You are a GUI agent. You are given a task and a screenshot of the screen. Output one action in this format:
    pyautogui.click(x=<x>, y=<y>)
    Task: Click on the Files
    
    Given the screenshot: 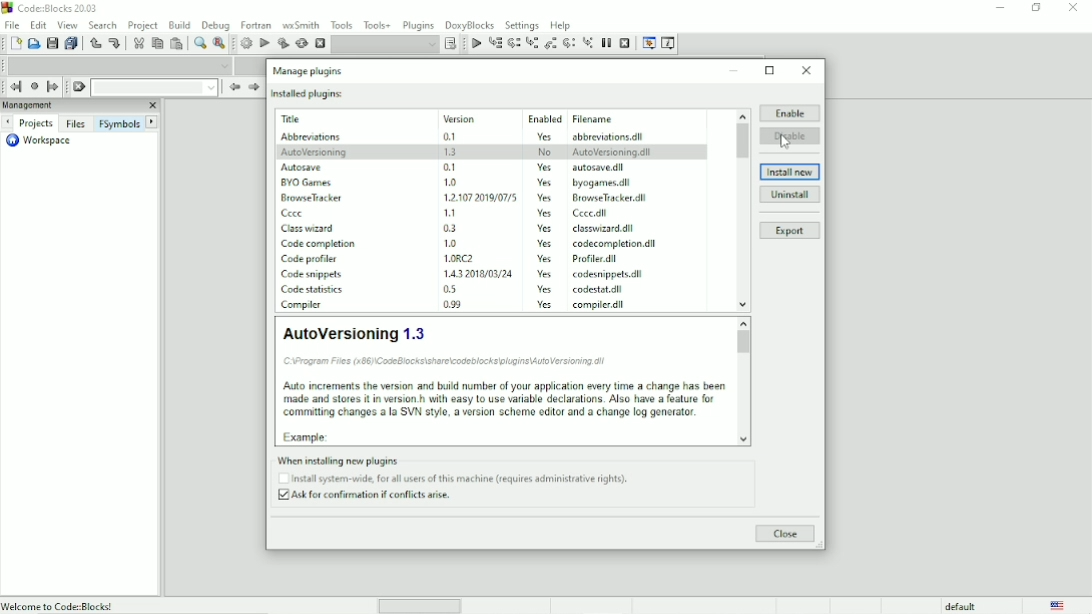 What is the action you would take?
    pyautogui.click(x=75, y=123)
    